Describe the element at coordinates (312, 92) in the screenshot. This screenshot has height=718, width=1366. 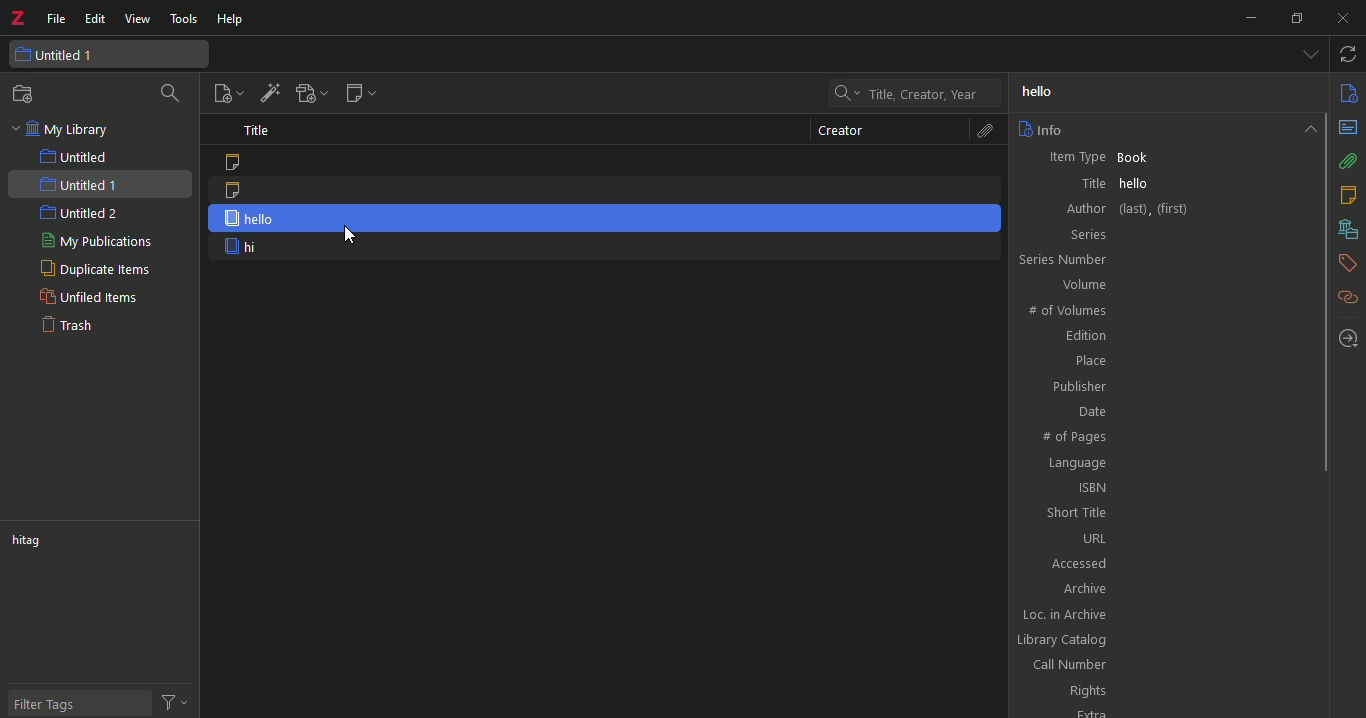
I see `add attach` at that location.